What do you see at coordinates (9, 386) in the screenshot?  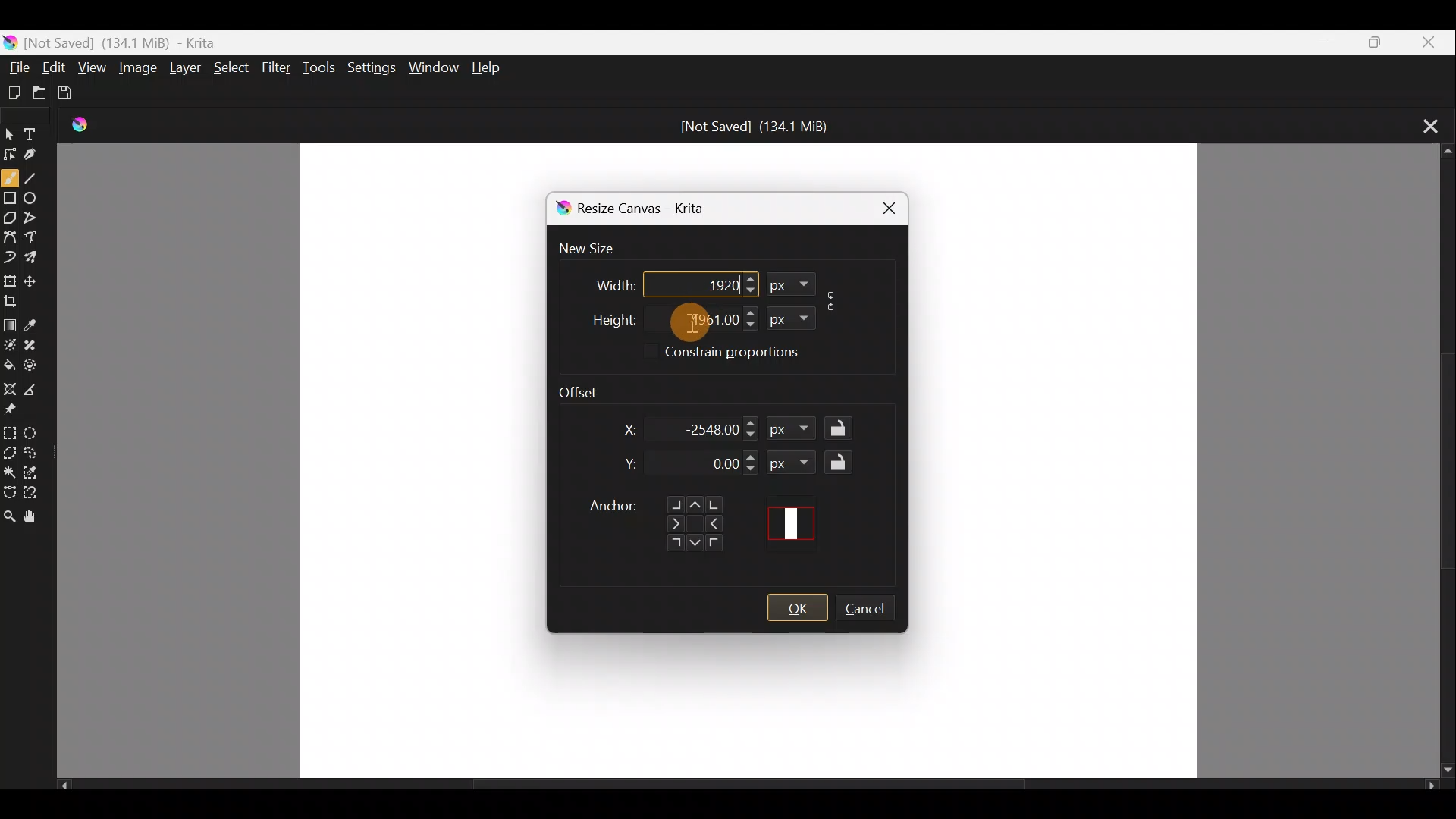 I see `Assistant tool` at bounding box center [9, 386].